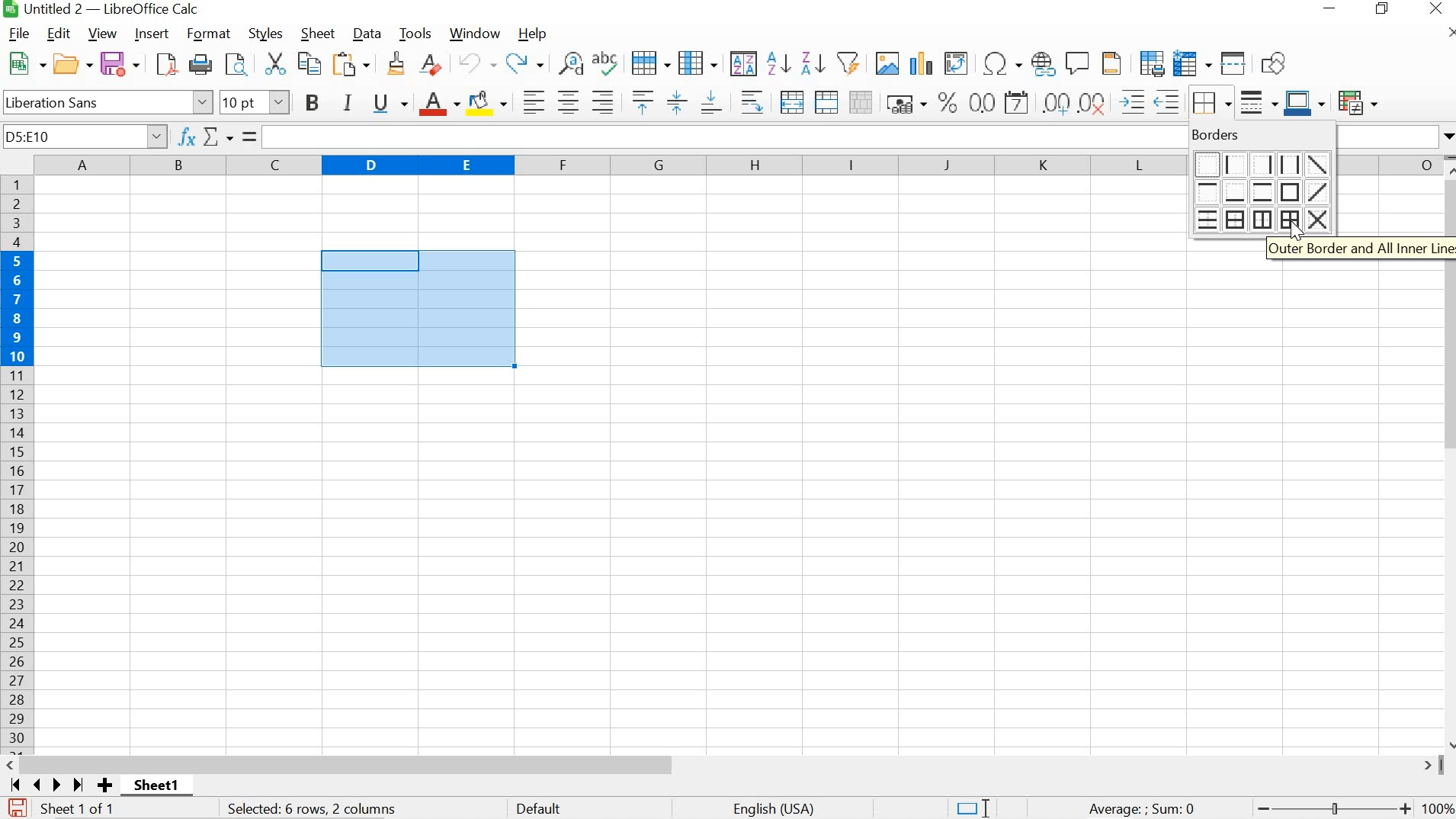 The height and width of the screenshot is (819, 1456). What do you see at coordinates (316, 33) in the screenshot?
I see `SHEET` at bounding box center [316, 33].